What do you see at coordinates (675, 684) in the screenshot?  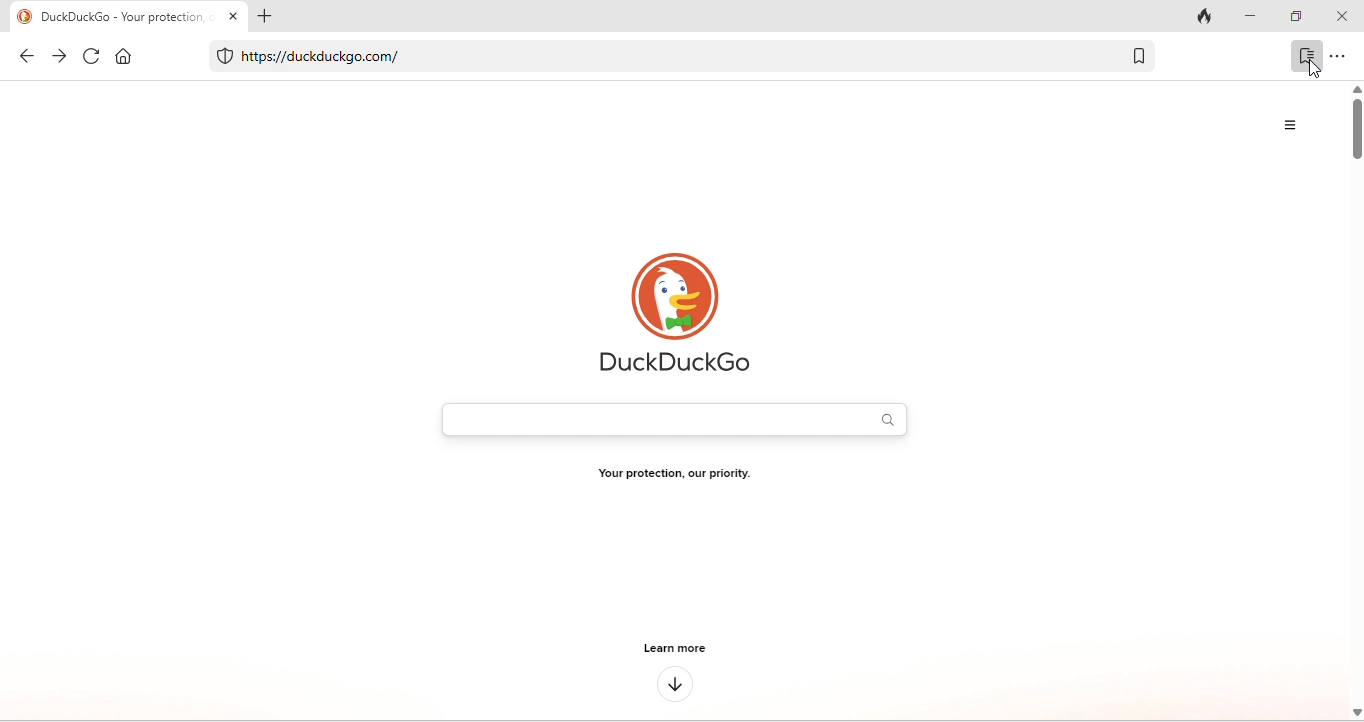 I see `down arrow` at bounding box center [675, 684].